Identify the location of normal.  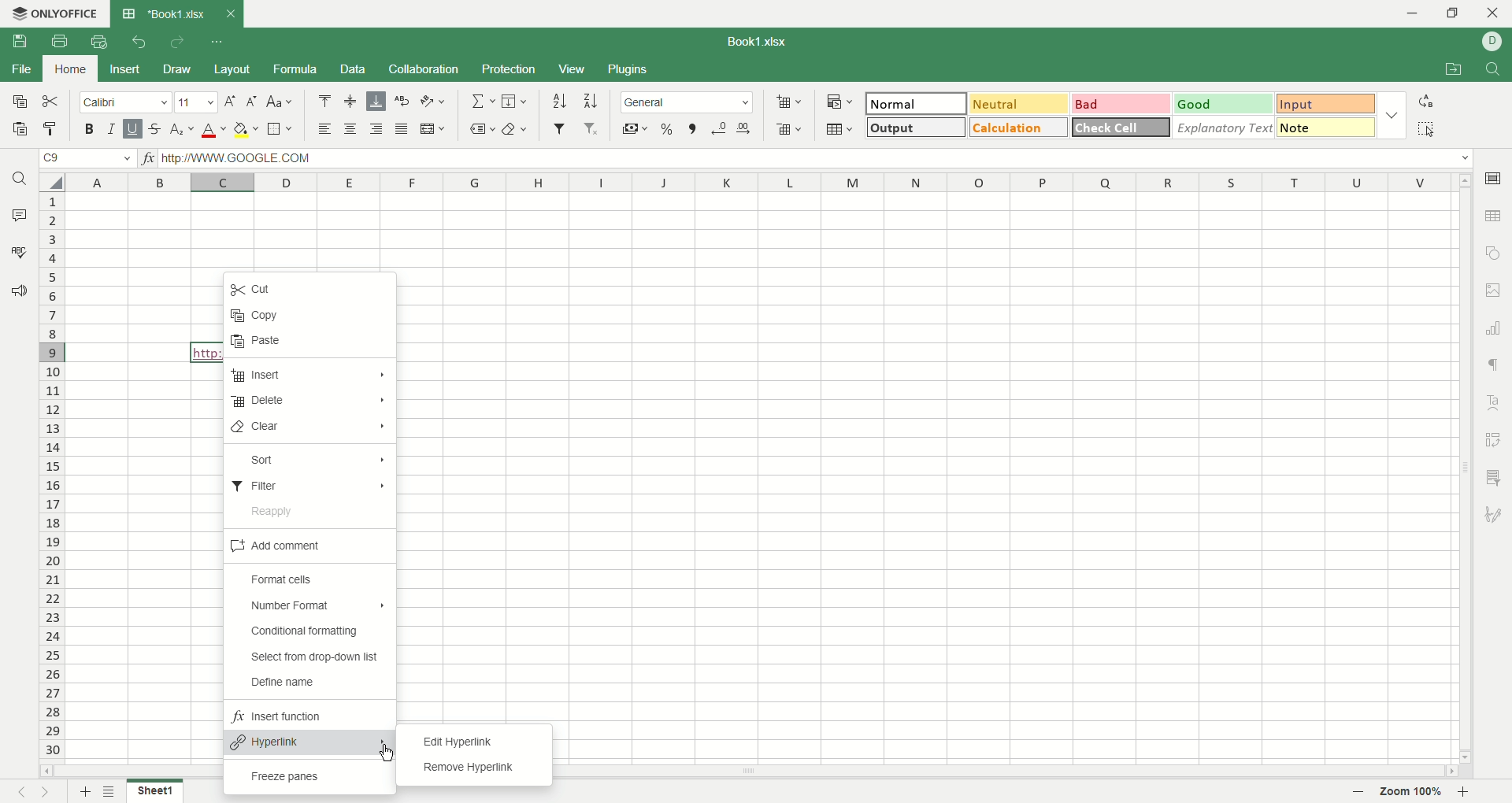
(917, 103).